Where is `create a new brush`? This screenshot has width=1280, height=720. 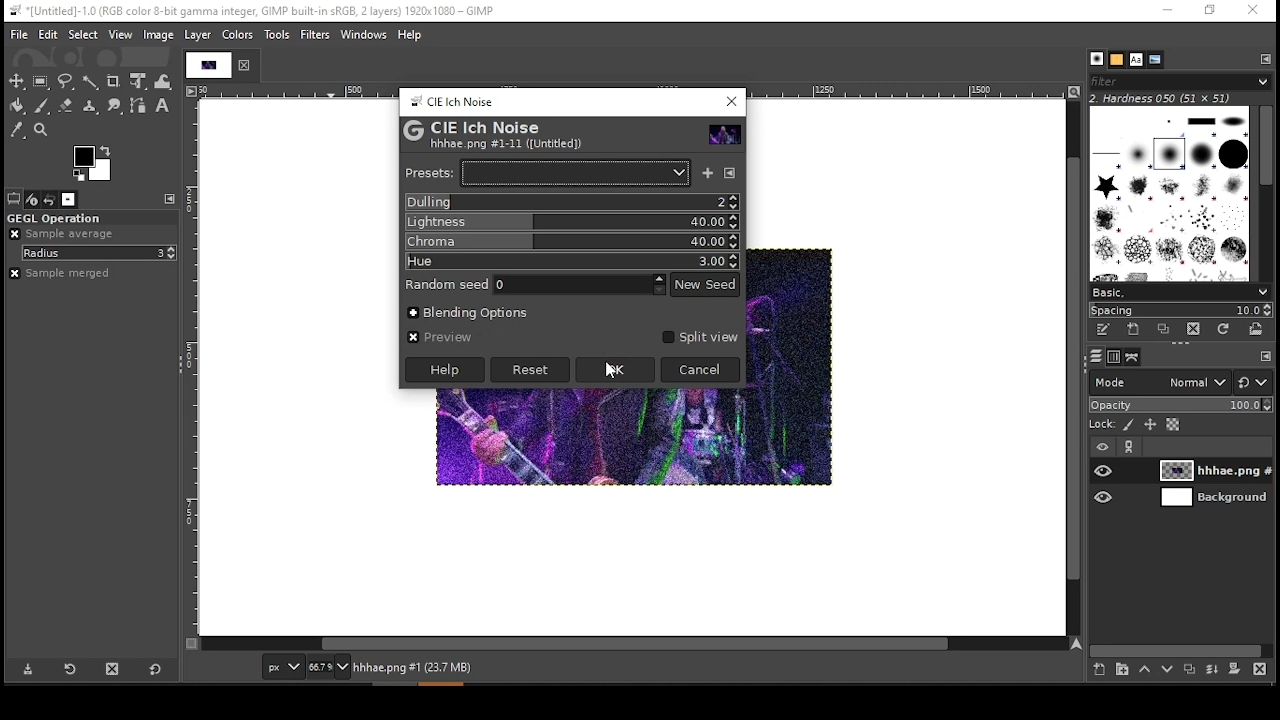
create a new brush is located at coordinates (1137, 331).